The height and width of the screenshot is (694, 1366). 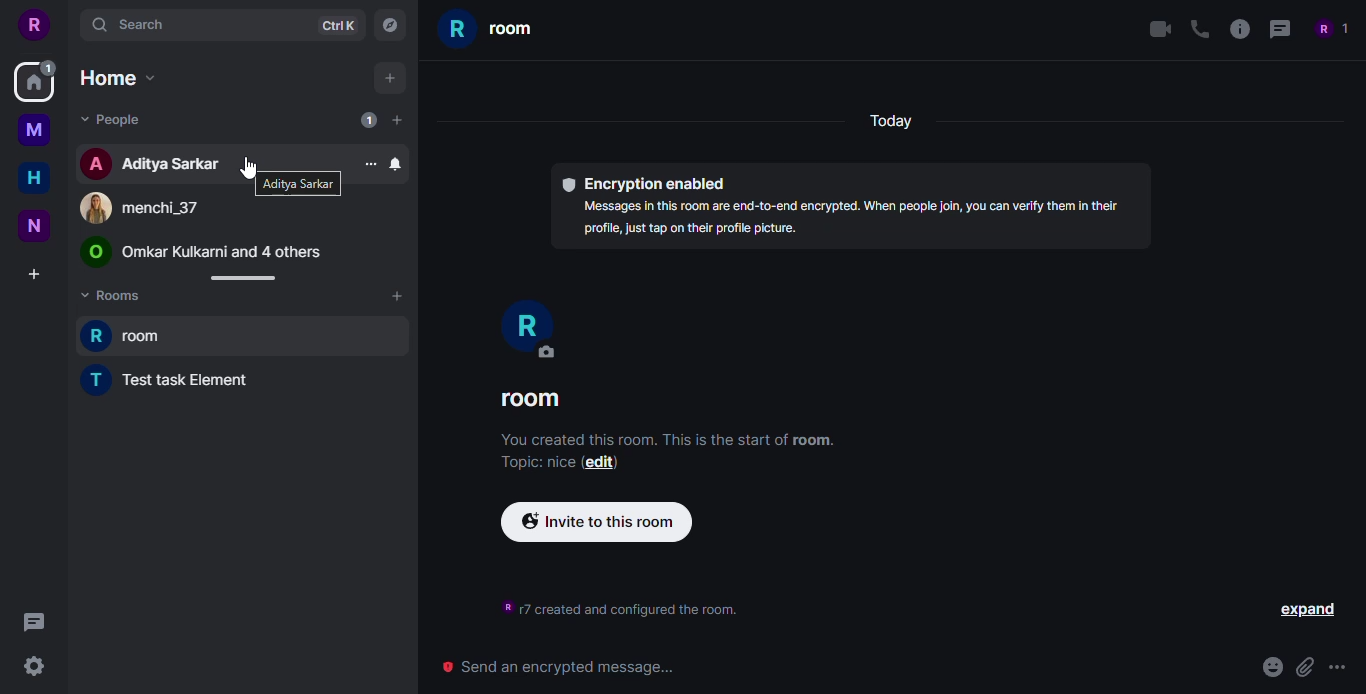 I want to click on expand, so click(x=1309, y=611).